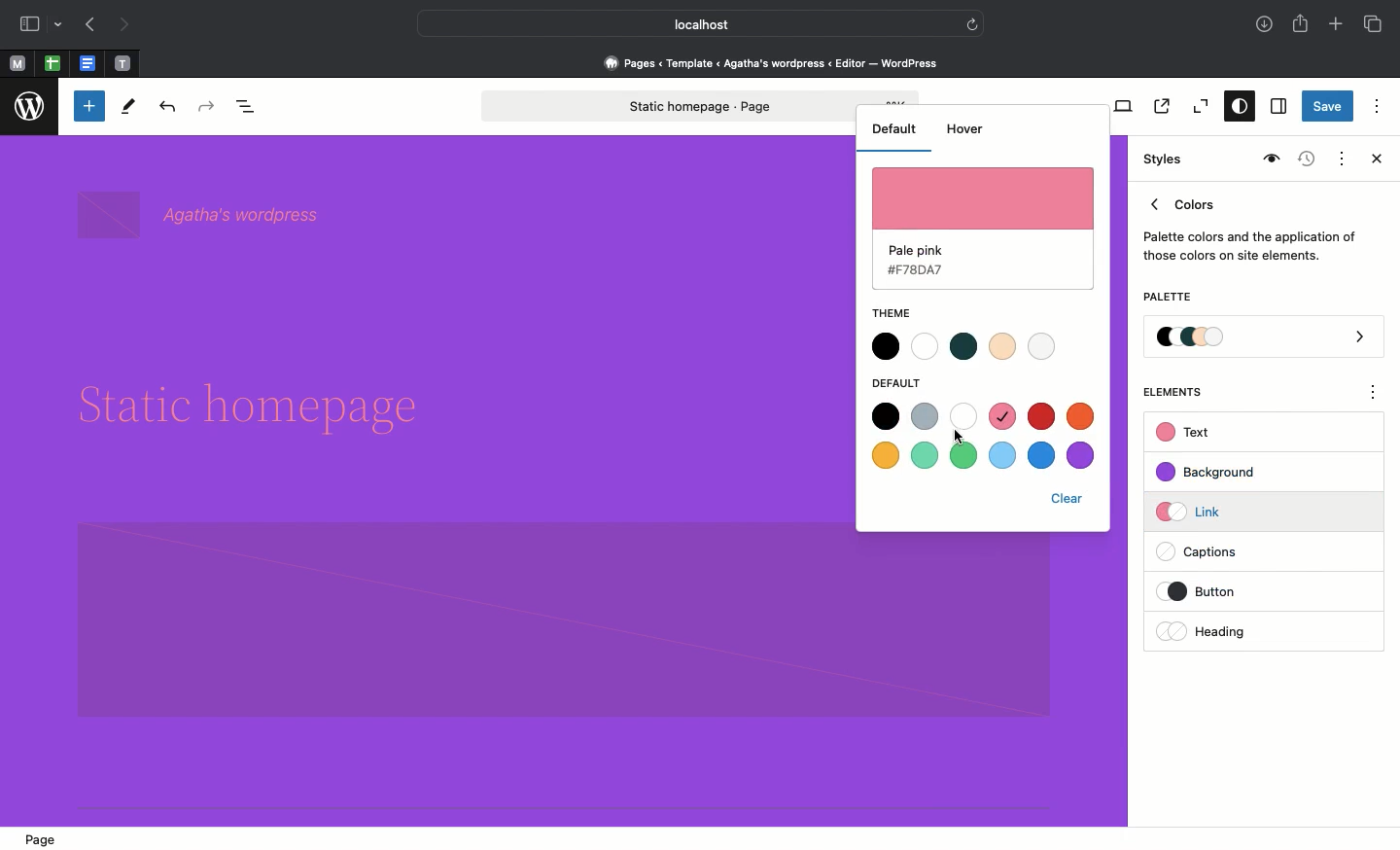  I want to click on Add new tab, so click(1338, 26).